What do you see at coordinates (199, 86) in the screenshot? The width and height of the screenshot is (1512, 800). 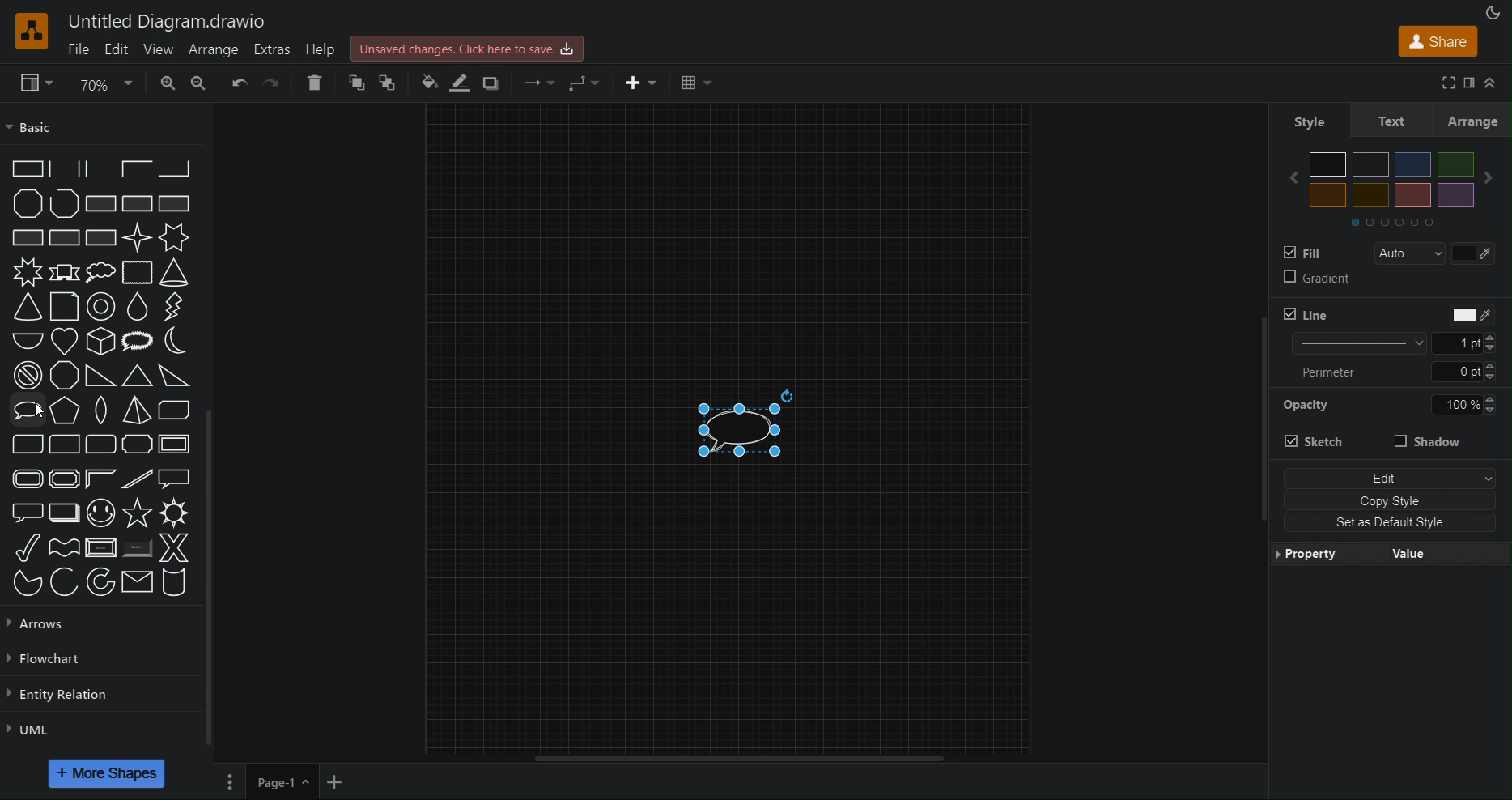 I see `Zoom out` at bounding box center [199, 86].